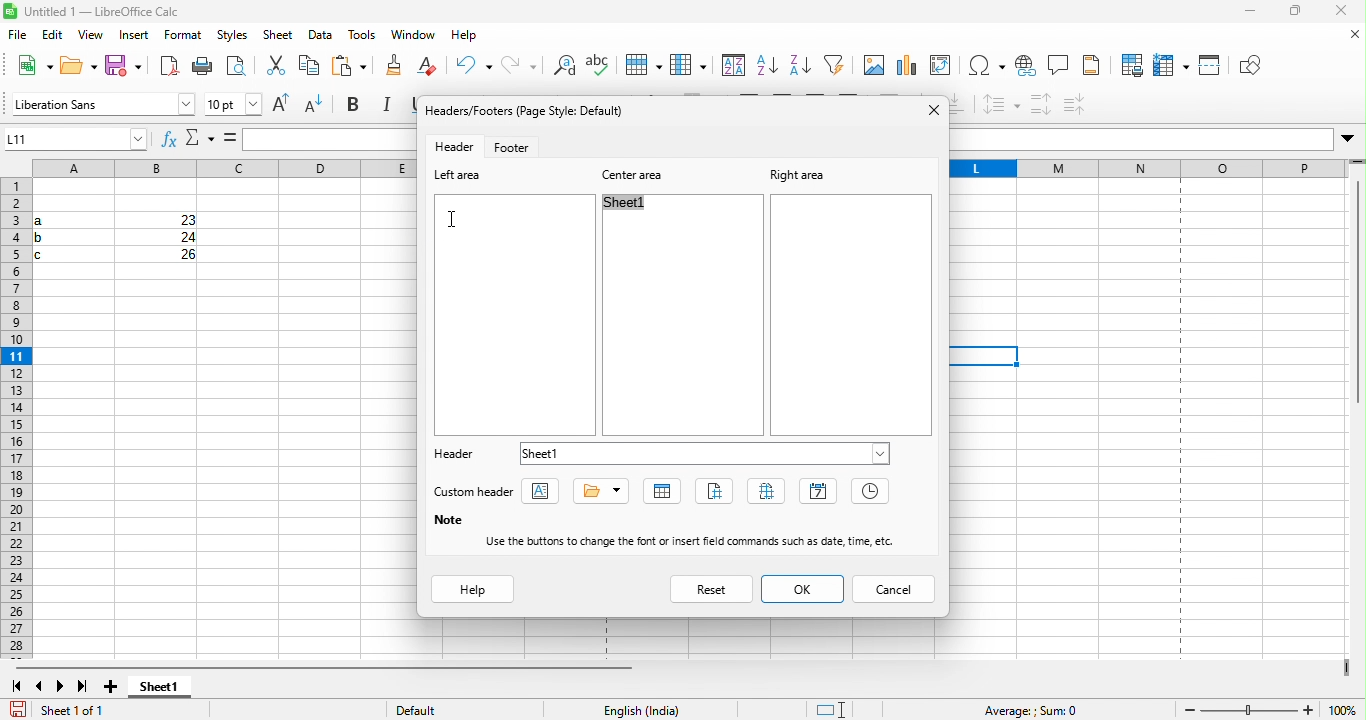  I want to click on maximize, so click(1296, 13).